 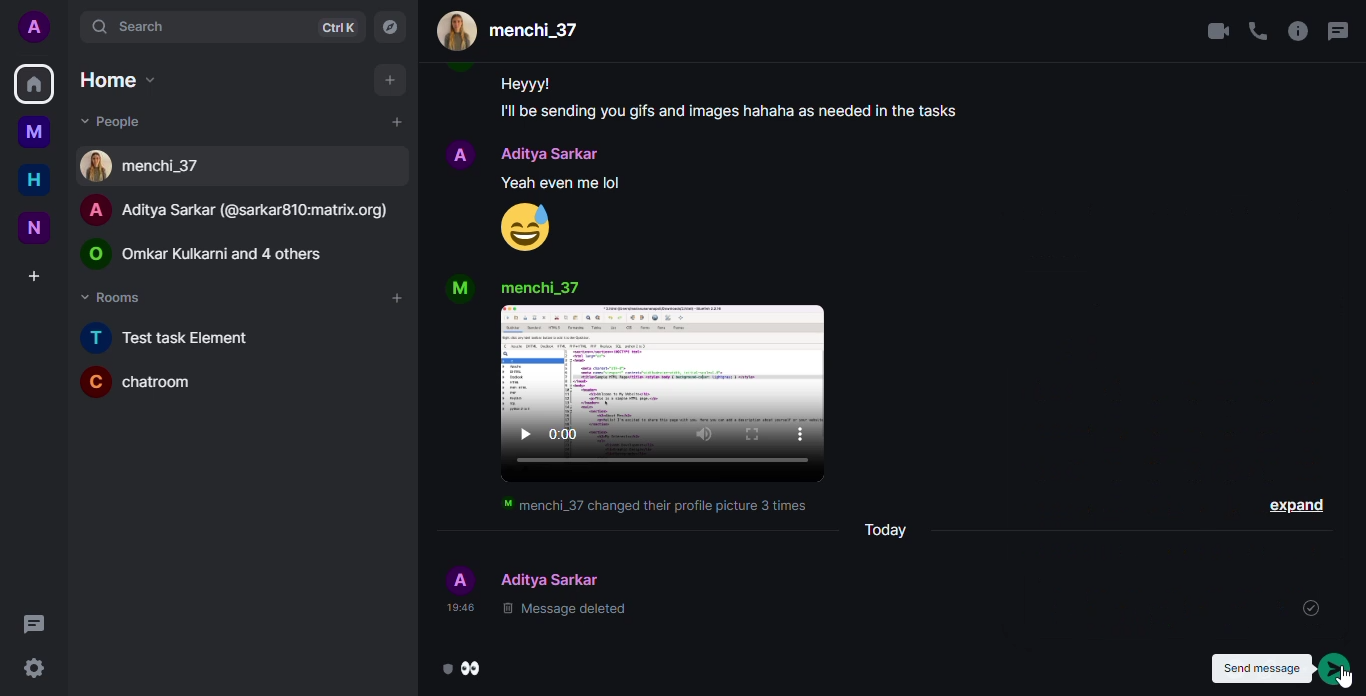 What do you see at coordinates (34, 27) in the screenshot?
I see `profile` at bounding box center [34, 27].